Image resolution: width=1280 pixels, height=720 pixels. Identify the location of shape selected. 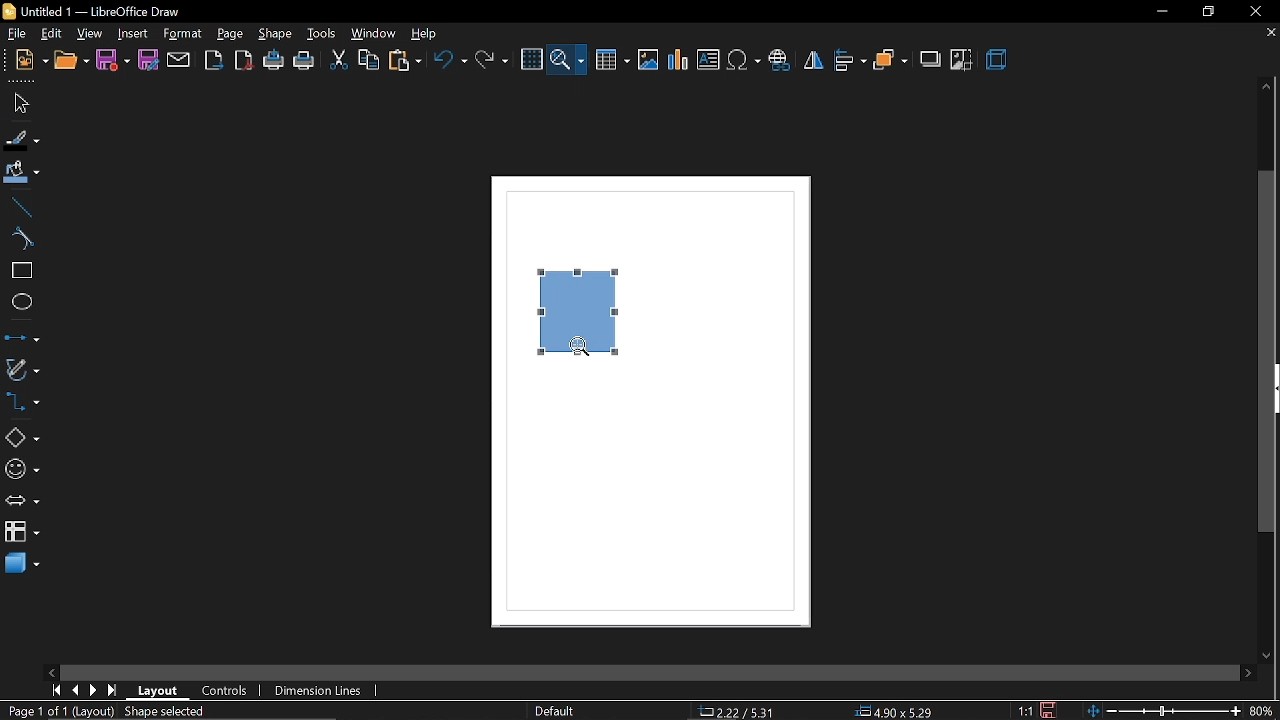
(168, 711).